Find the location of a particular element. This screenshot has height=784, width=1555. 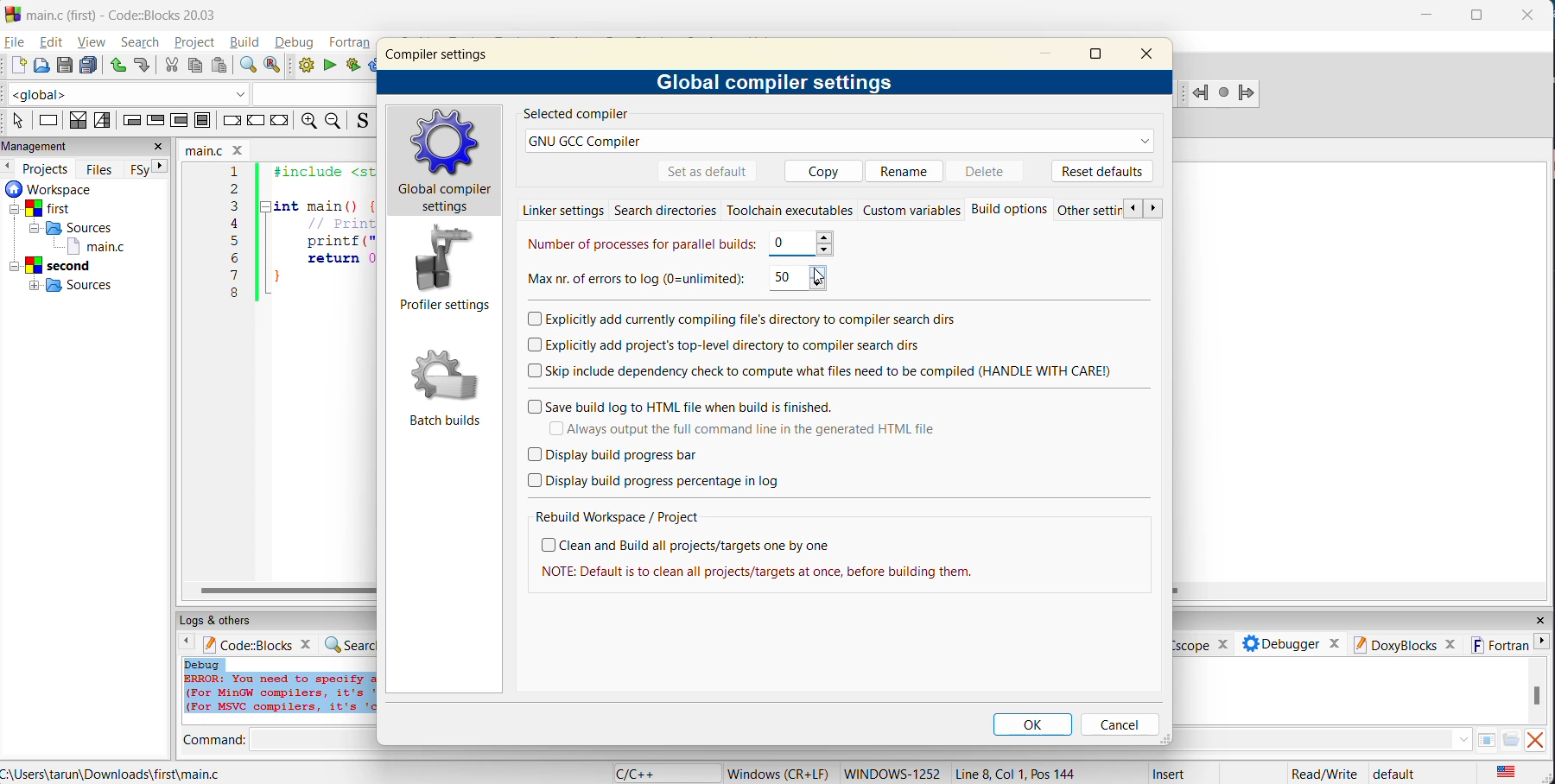

reset defaults is located at coordinates (1101, 172).